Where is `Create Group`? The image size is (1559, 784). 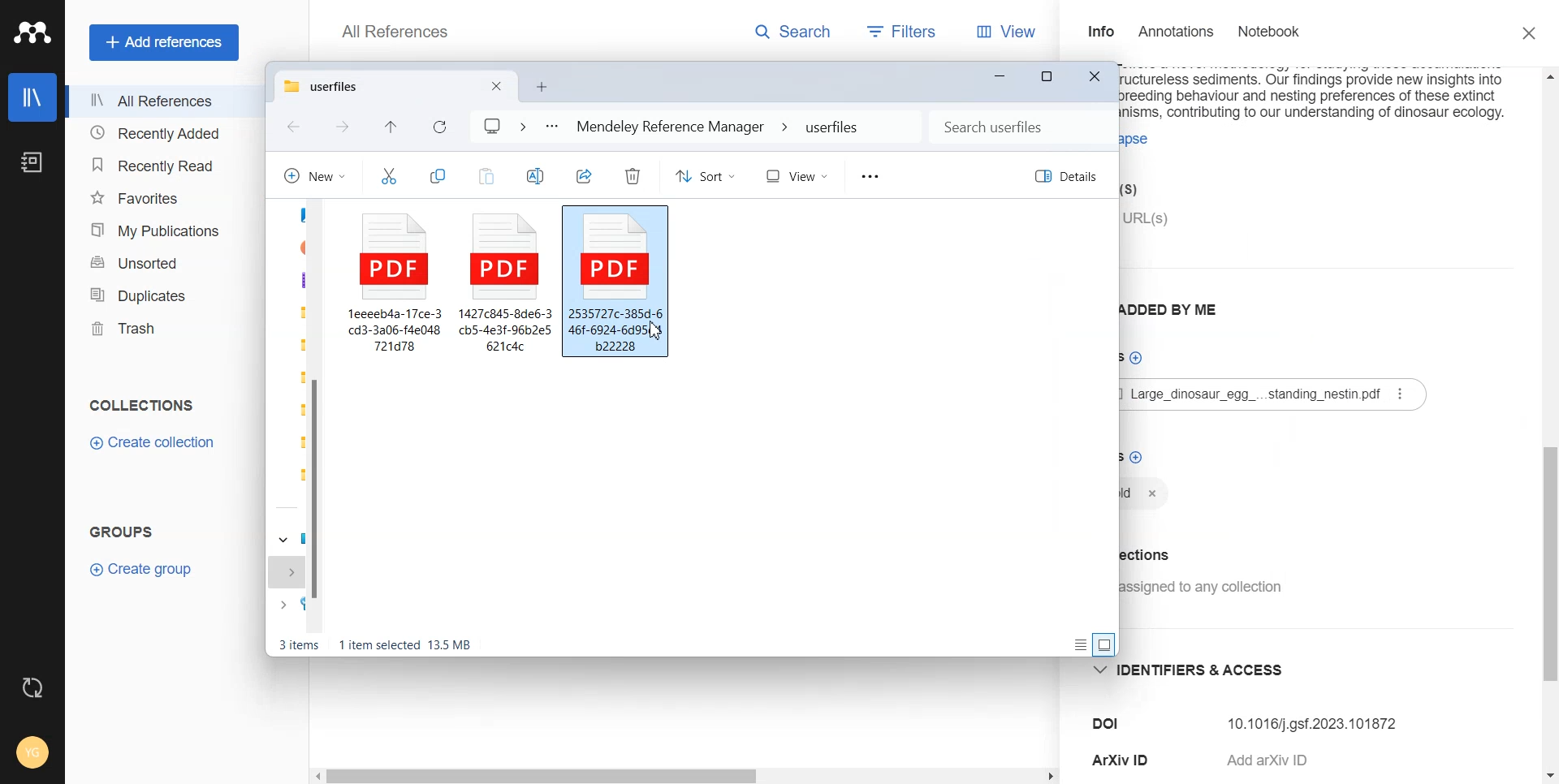 Create Group is located at coordinates (149, 568).